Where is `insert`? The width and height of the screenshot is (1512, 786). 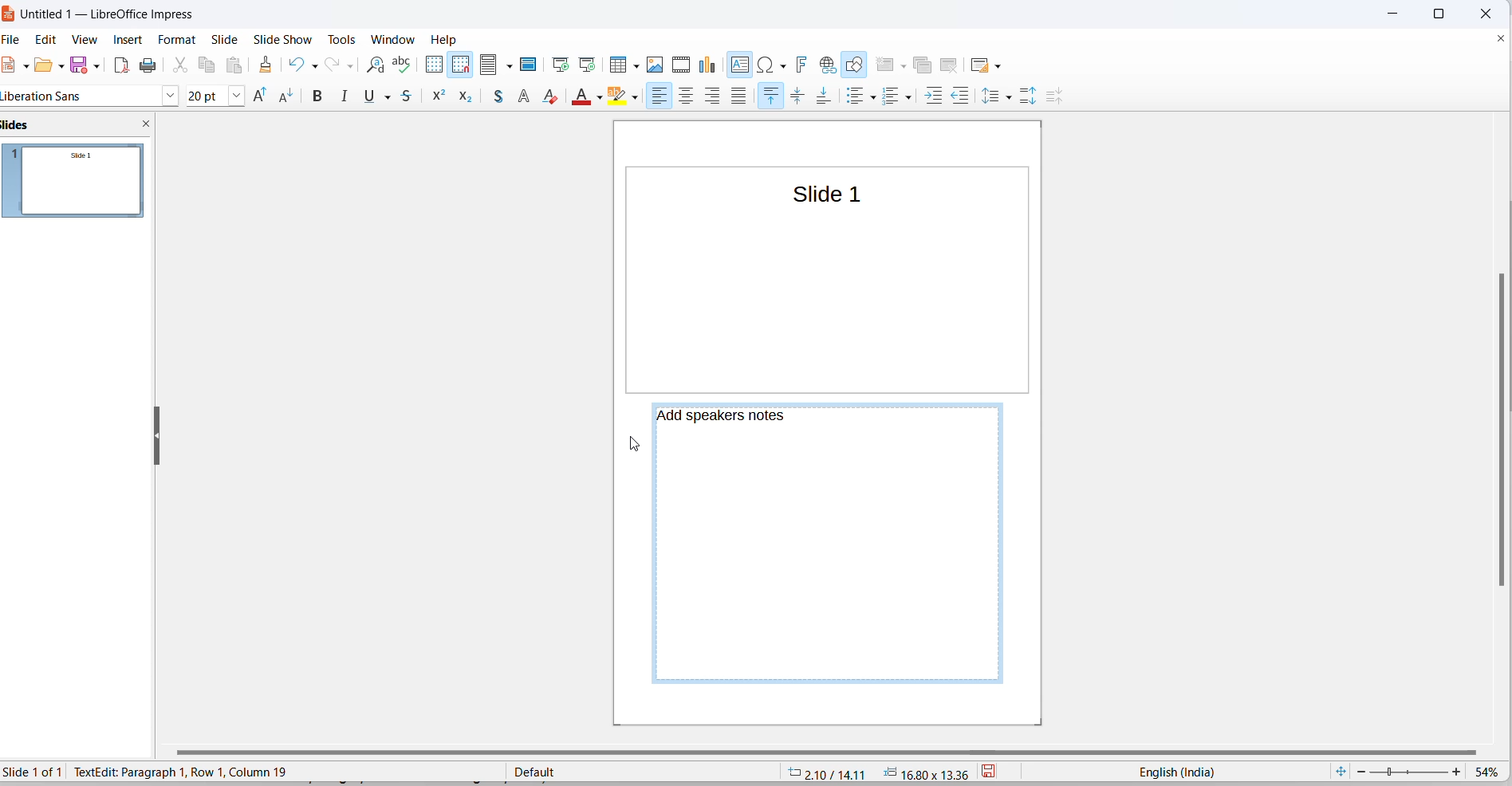 insert is located at coordinates (130, 41).